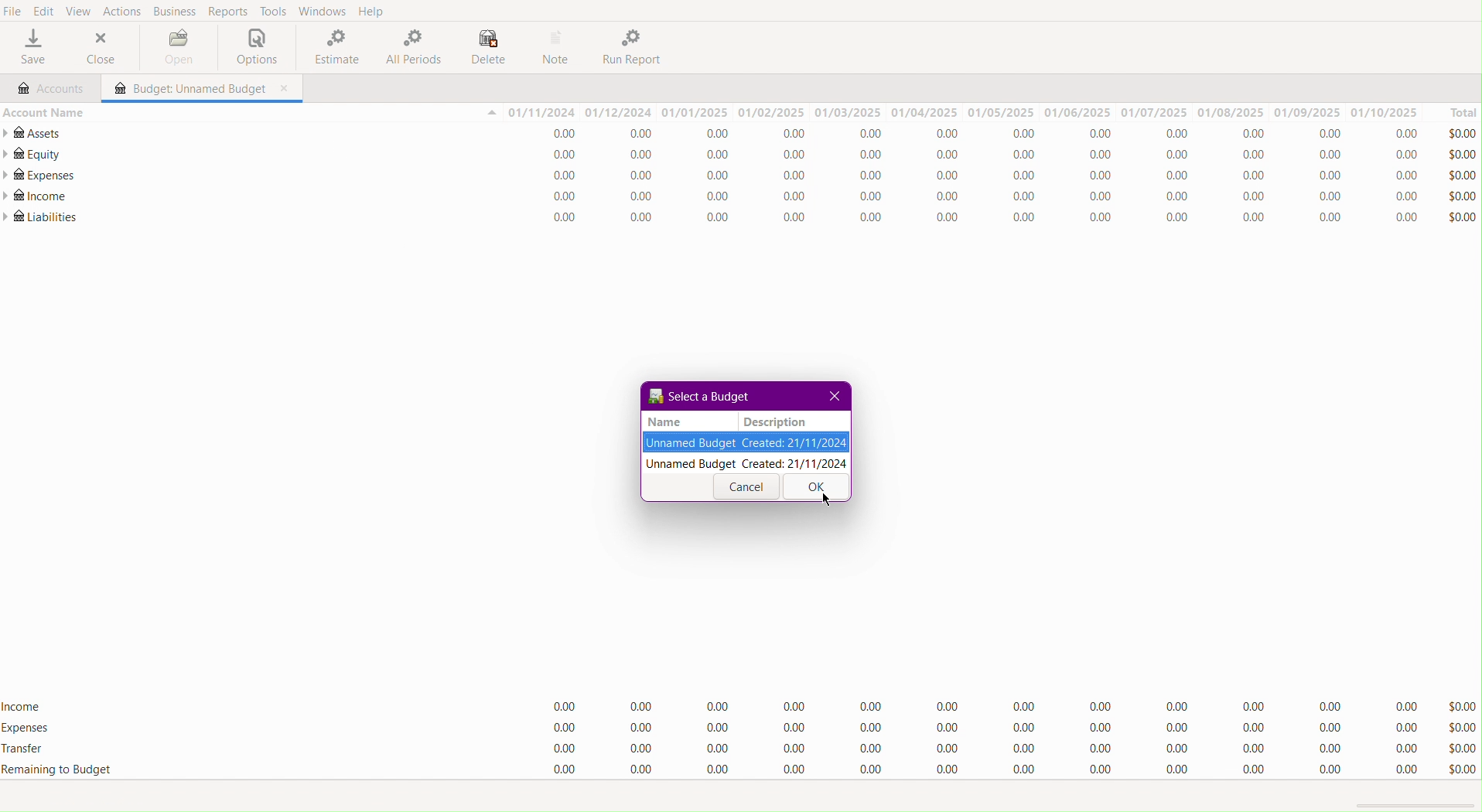 The image size is (1482, 812). I want to click on Income, so click(25, 704).